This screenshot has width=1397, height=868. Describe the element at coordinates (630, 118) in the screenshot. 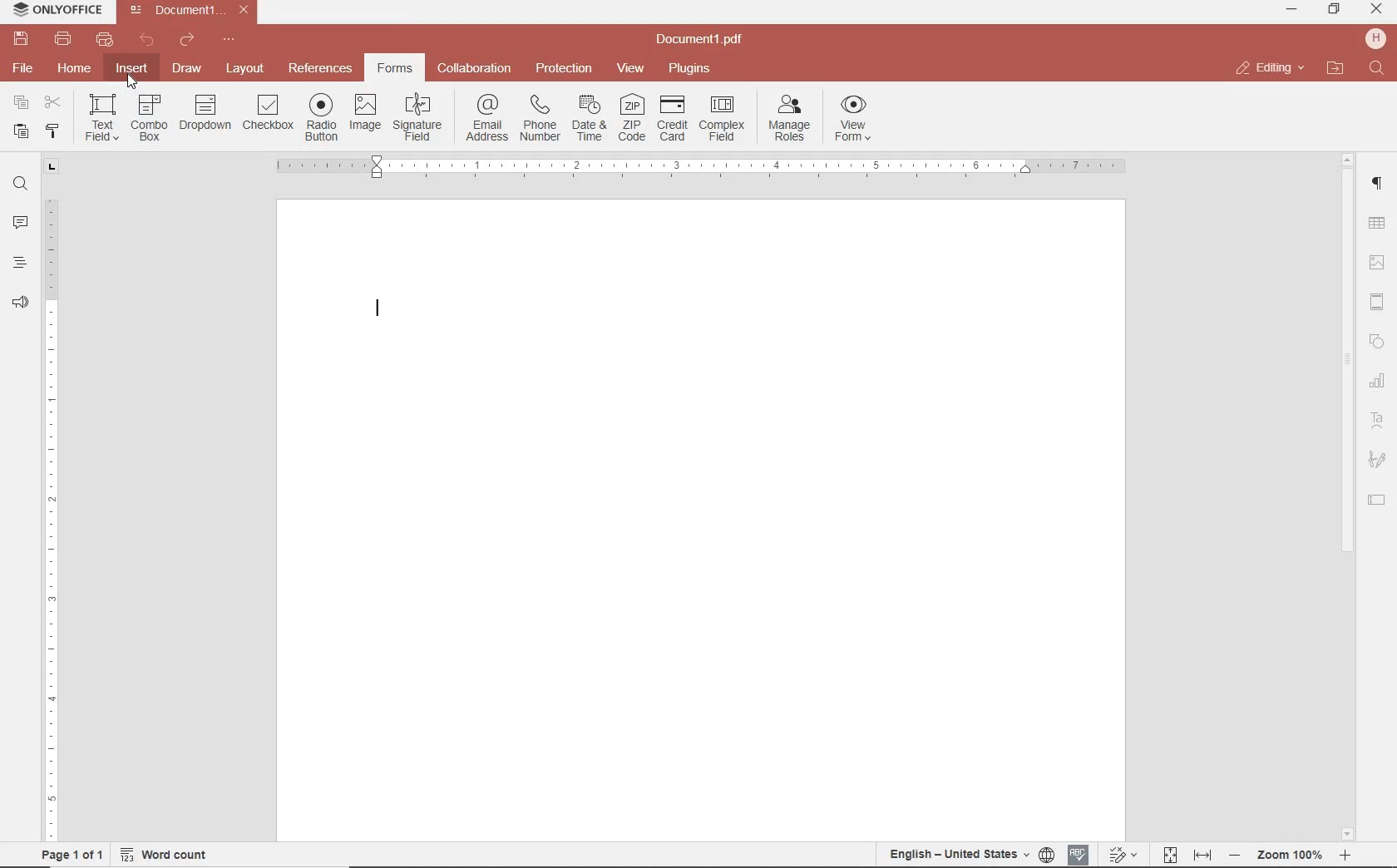

I see `insert zip code` at that location.